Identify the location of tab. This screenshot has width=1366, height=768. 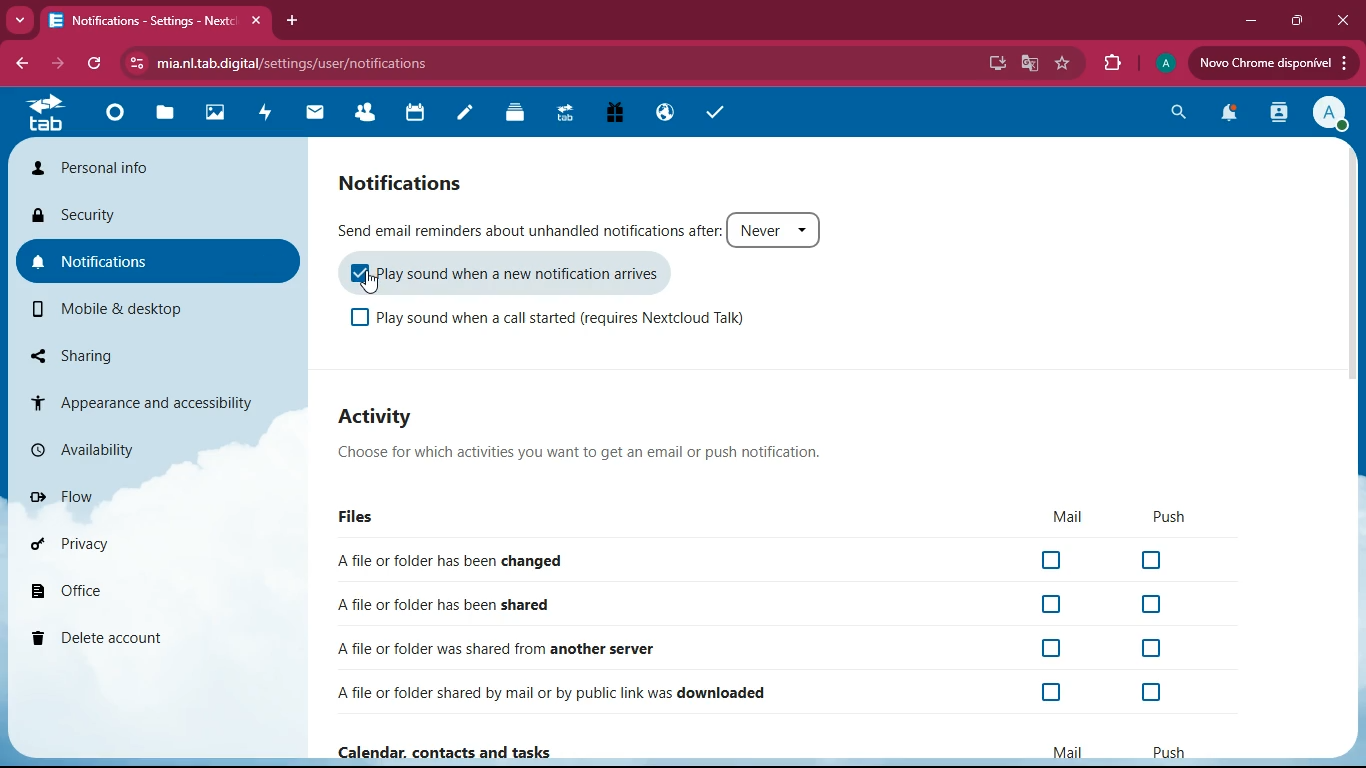
(50, 117).